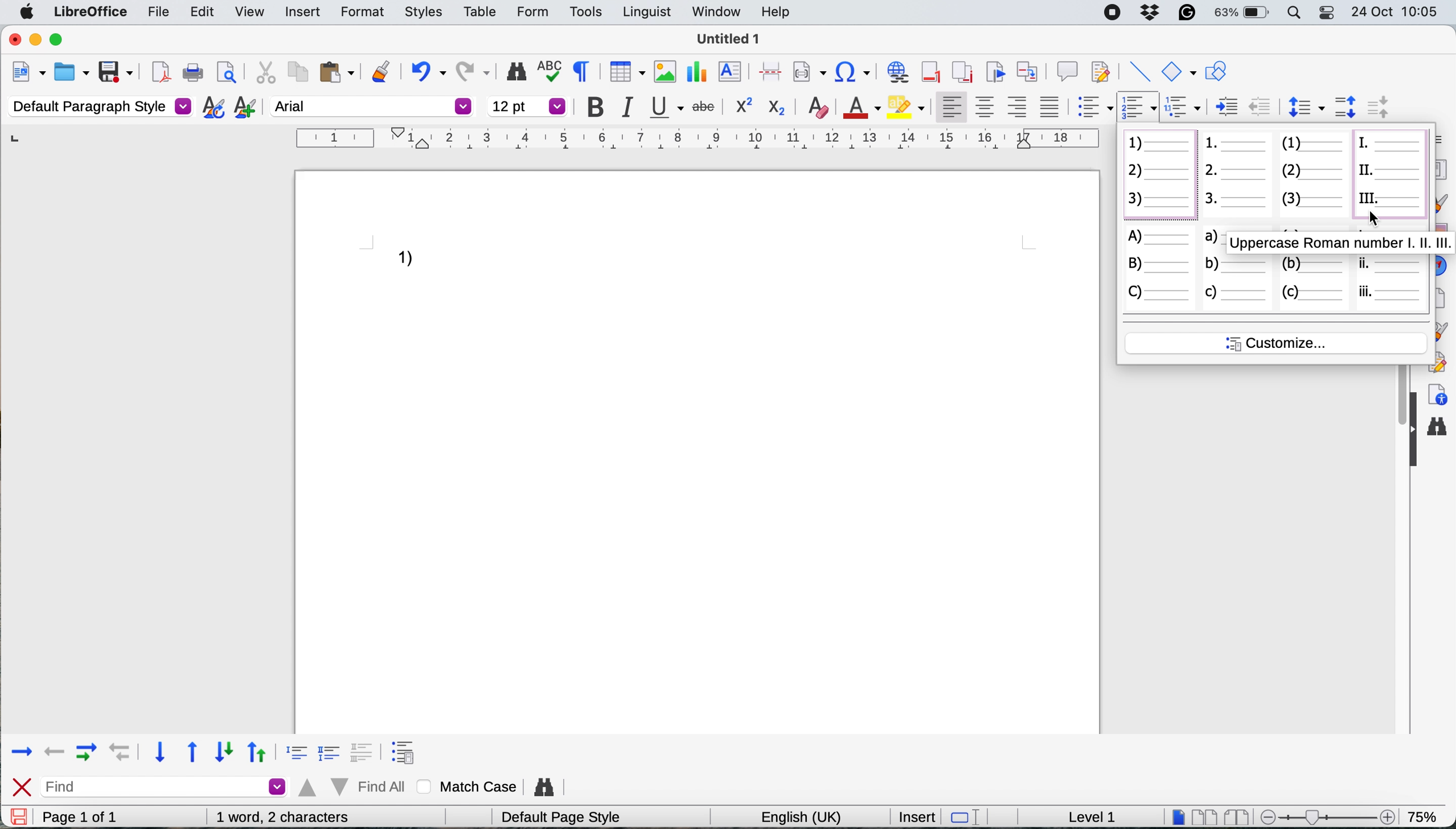 The height and width of the screenshot is (829, 1456). I want to click on save, so click(117, 71).